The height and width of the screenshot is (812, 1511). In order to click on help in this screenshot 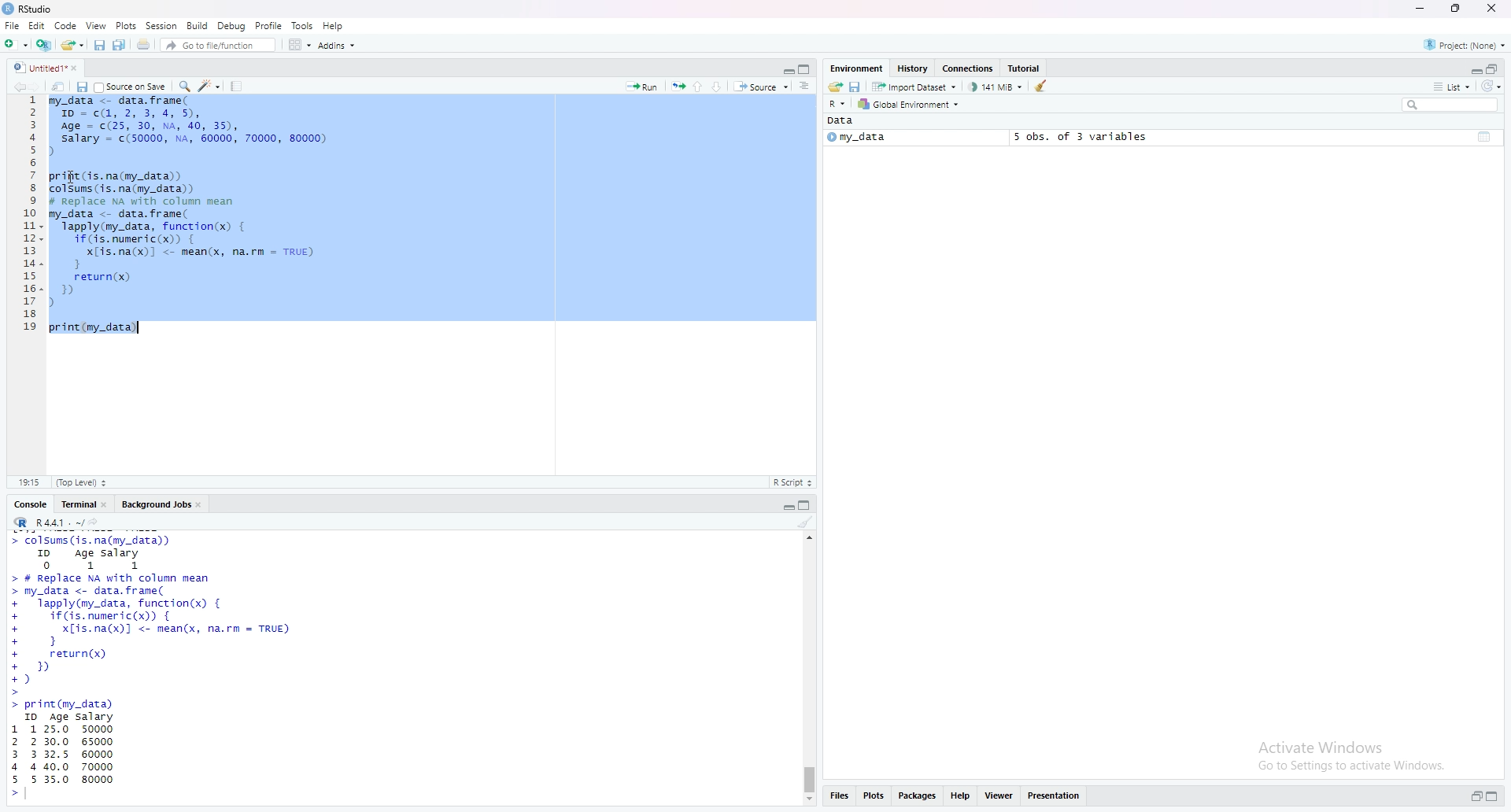, I will do `click(961, 795)`.